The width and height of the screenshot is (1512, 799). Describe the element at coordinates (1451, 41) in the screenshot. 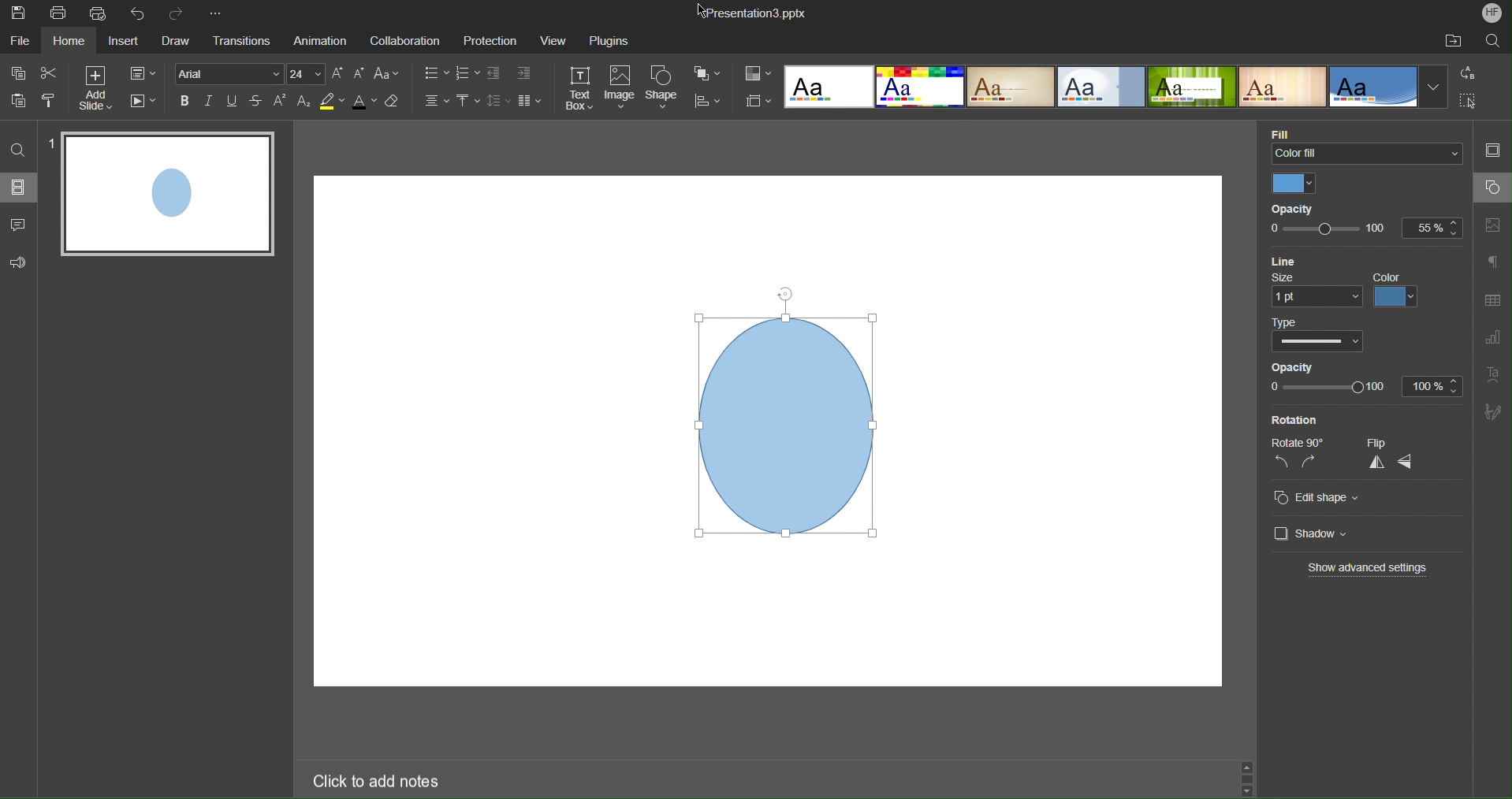

I see `Open File Location` at that location.